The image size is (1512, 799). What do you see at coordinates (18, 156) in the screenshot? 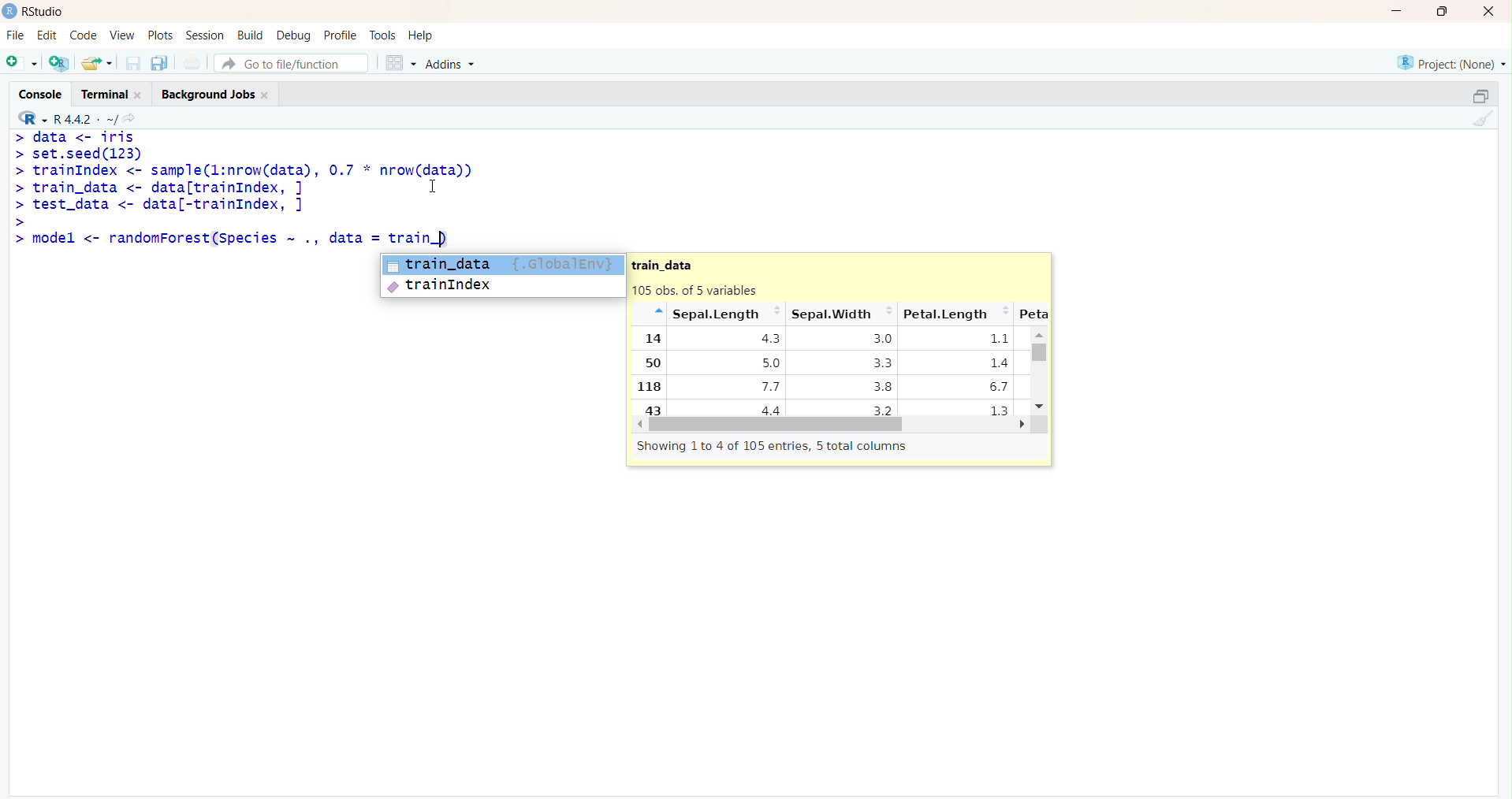
I see `Prompt cursor` at bounding box center [18, 156].